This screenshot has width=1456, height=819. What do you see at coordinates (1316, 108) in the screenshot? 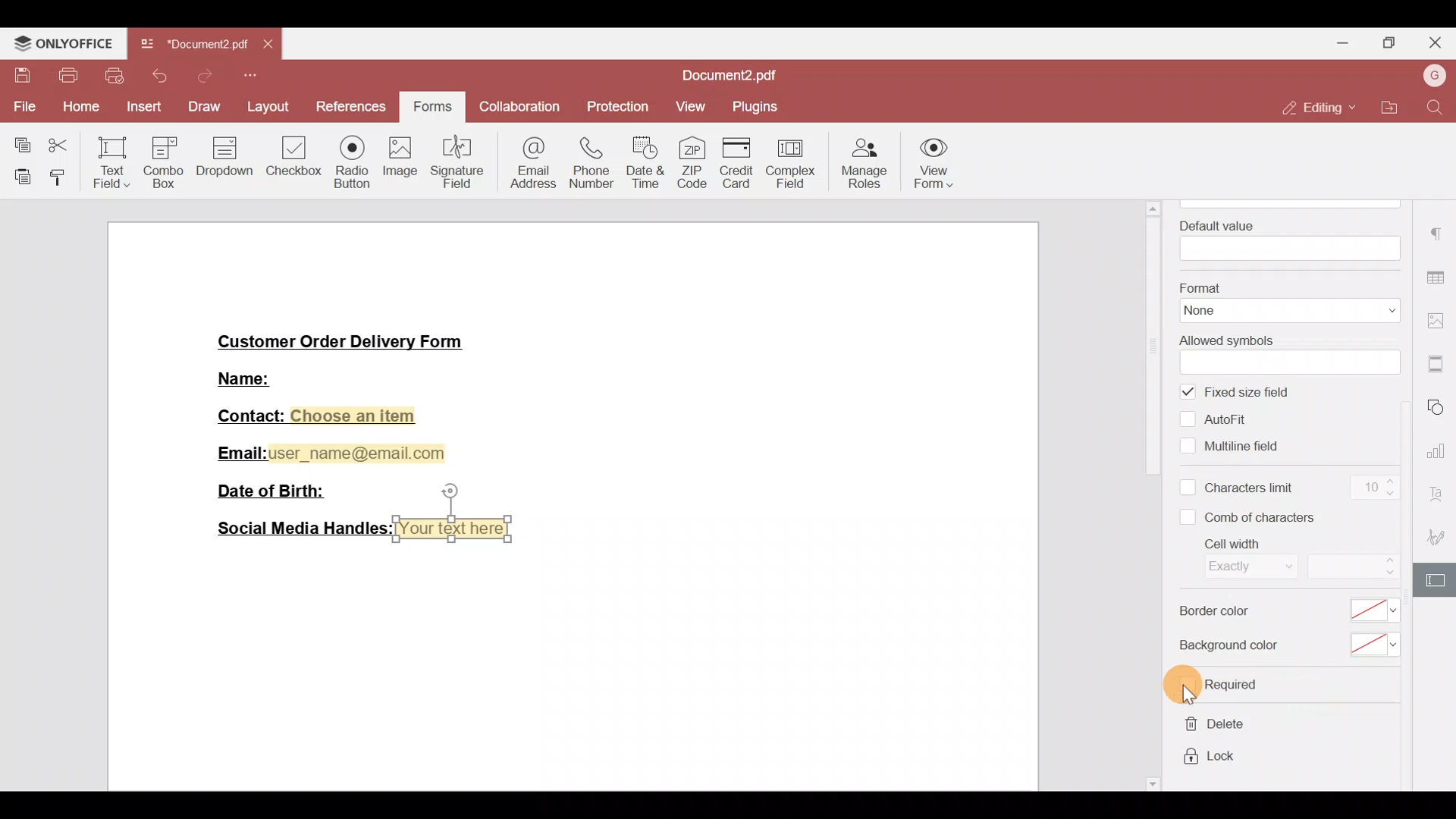
I see `Editing mode` at bounding box center [1316, 108].